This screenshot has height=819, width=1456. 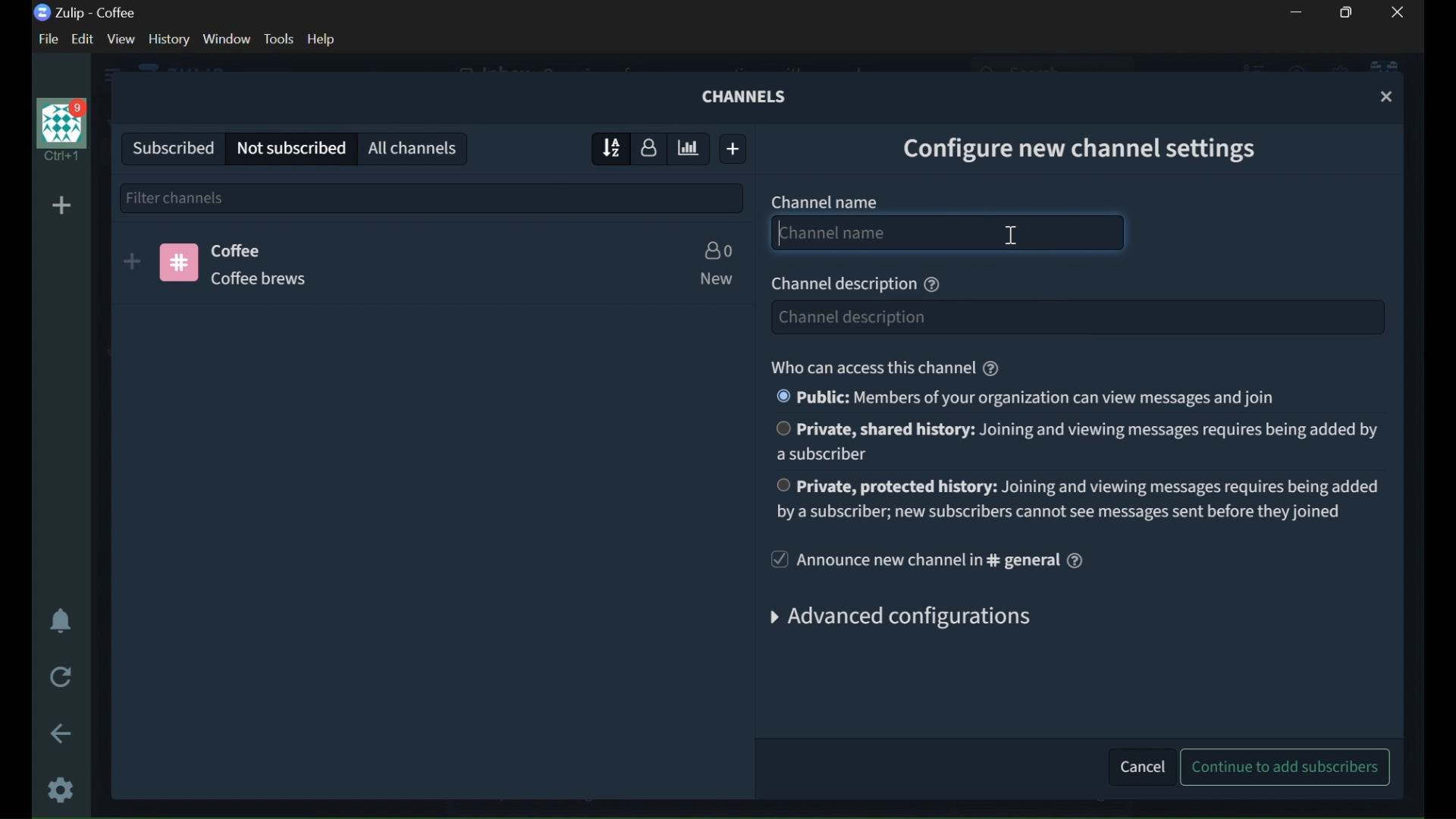 I want to click on VIEW, so click(x=120, y=39).